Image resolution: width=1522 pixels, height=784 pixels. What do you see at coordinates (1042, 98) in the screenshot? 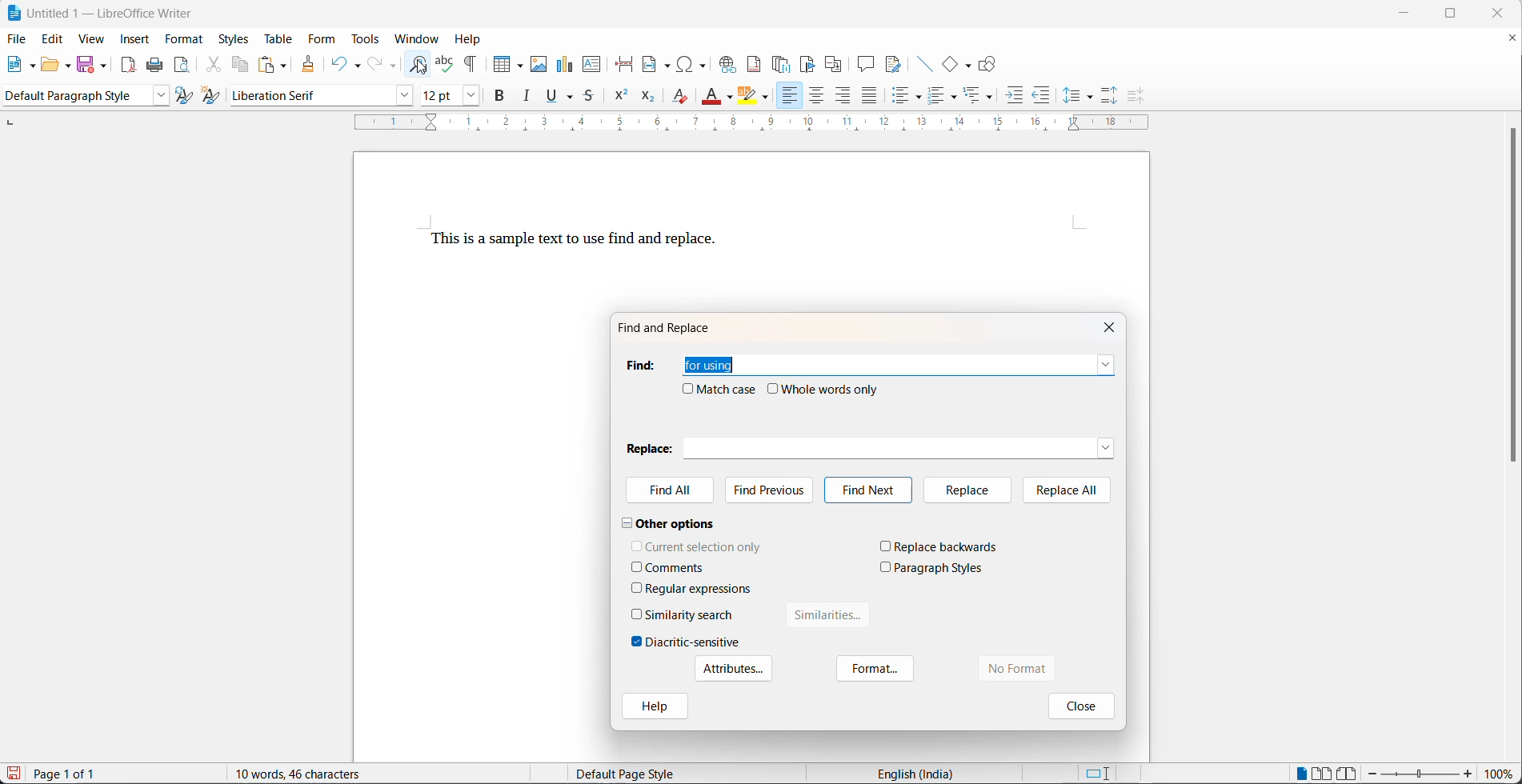
I see `decrease indent` at bounding box center [1042, 98].